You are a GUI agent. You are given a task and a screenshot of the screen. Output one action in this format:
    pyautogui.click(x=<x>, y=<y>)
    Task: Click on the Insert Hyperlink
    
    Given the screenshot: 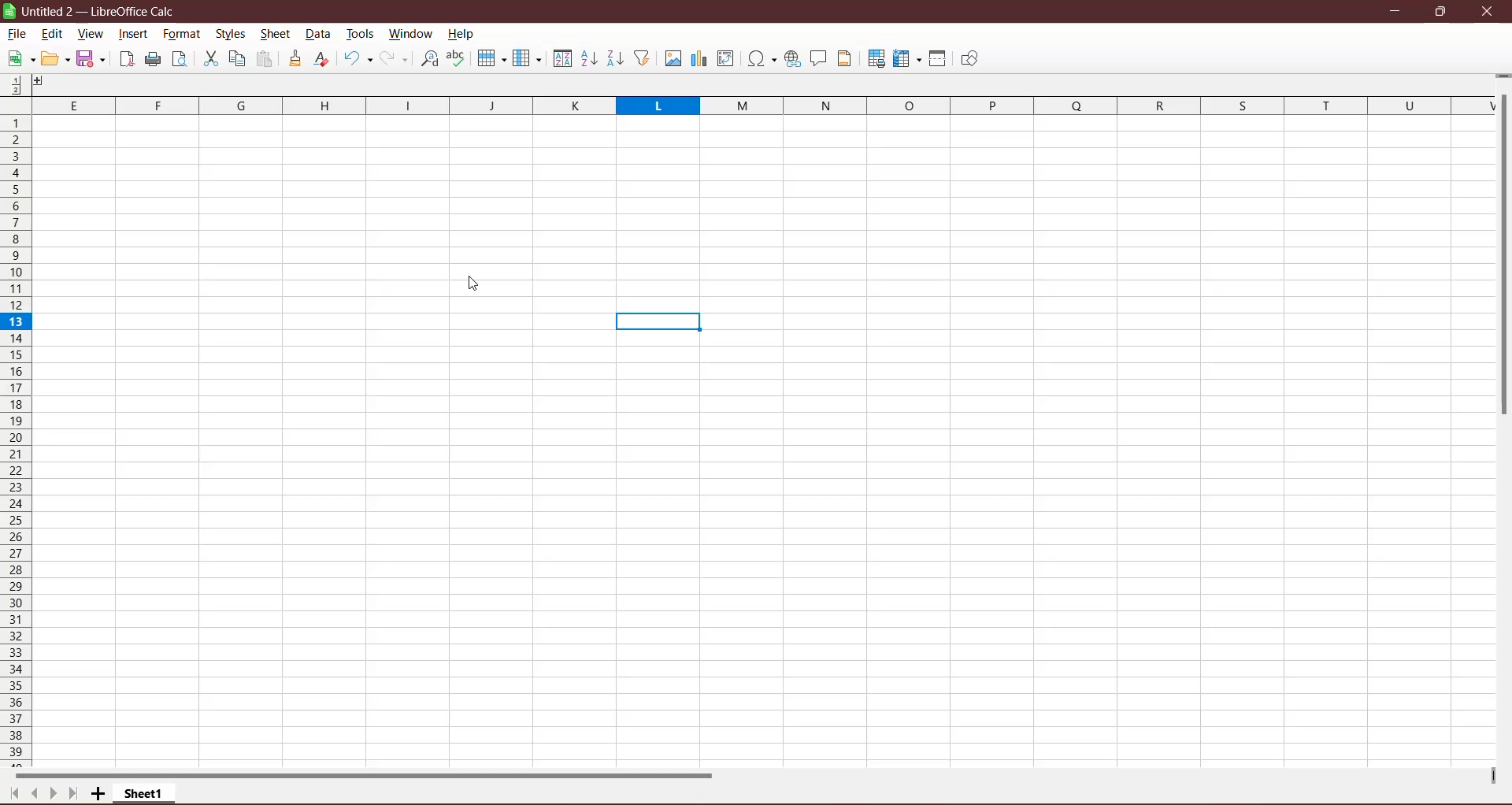 What is the action you would take?
    pyautogui.click(x=792, y=59)
    